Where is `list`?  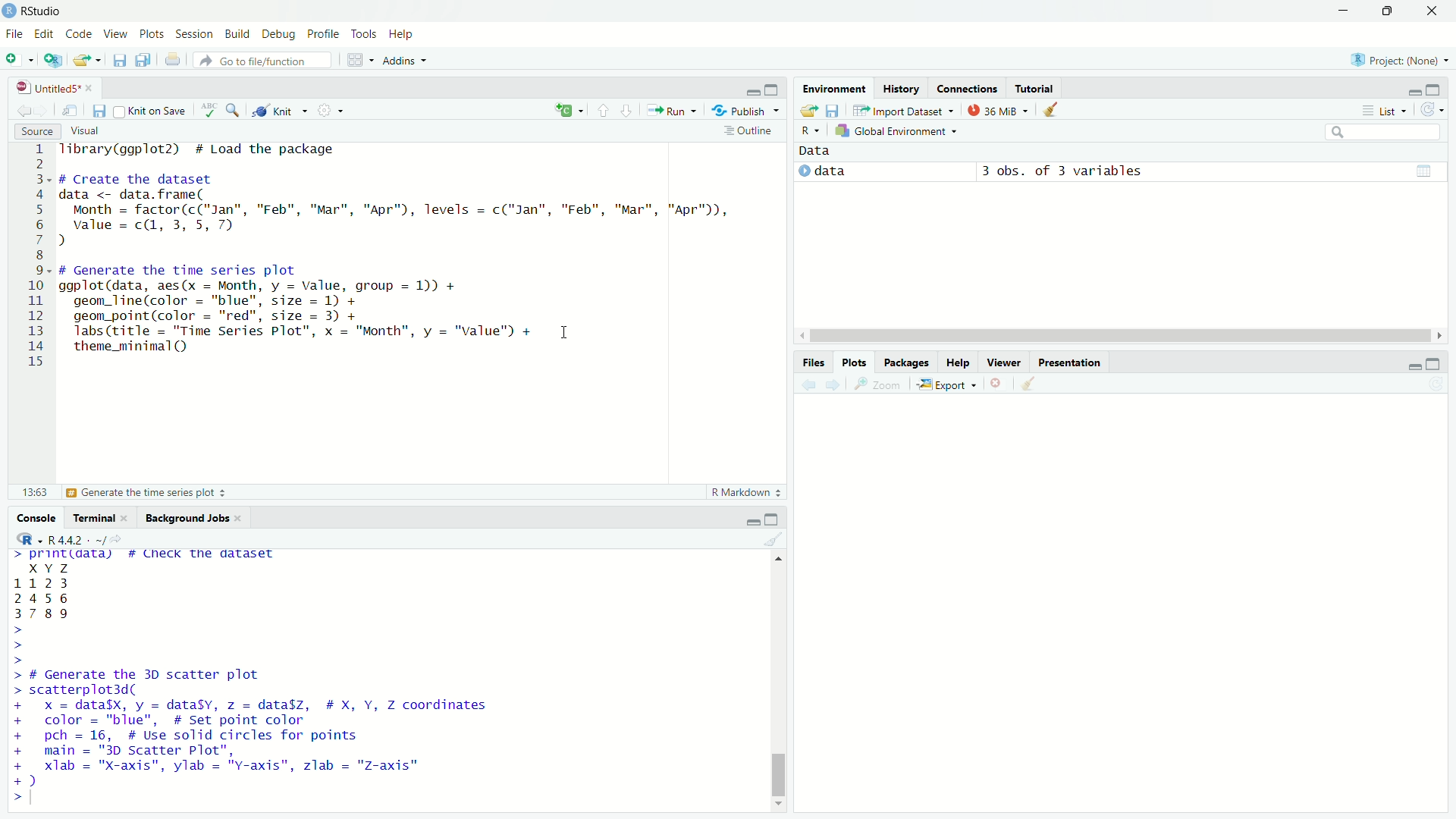 list is located at coordinates (1385, 110).